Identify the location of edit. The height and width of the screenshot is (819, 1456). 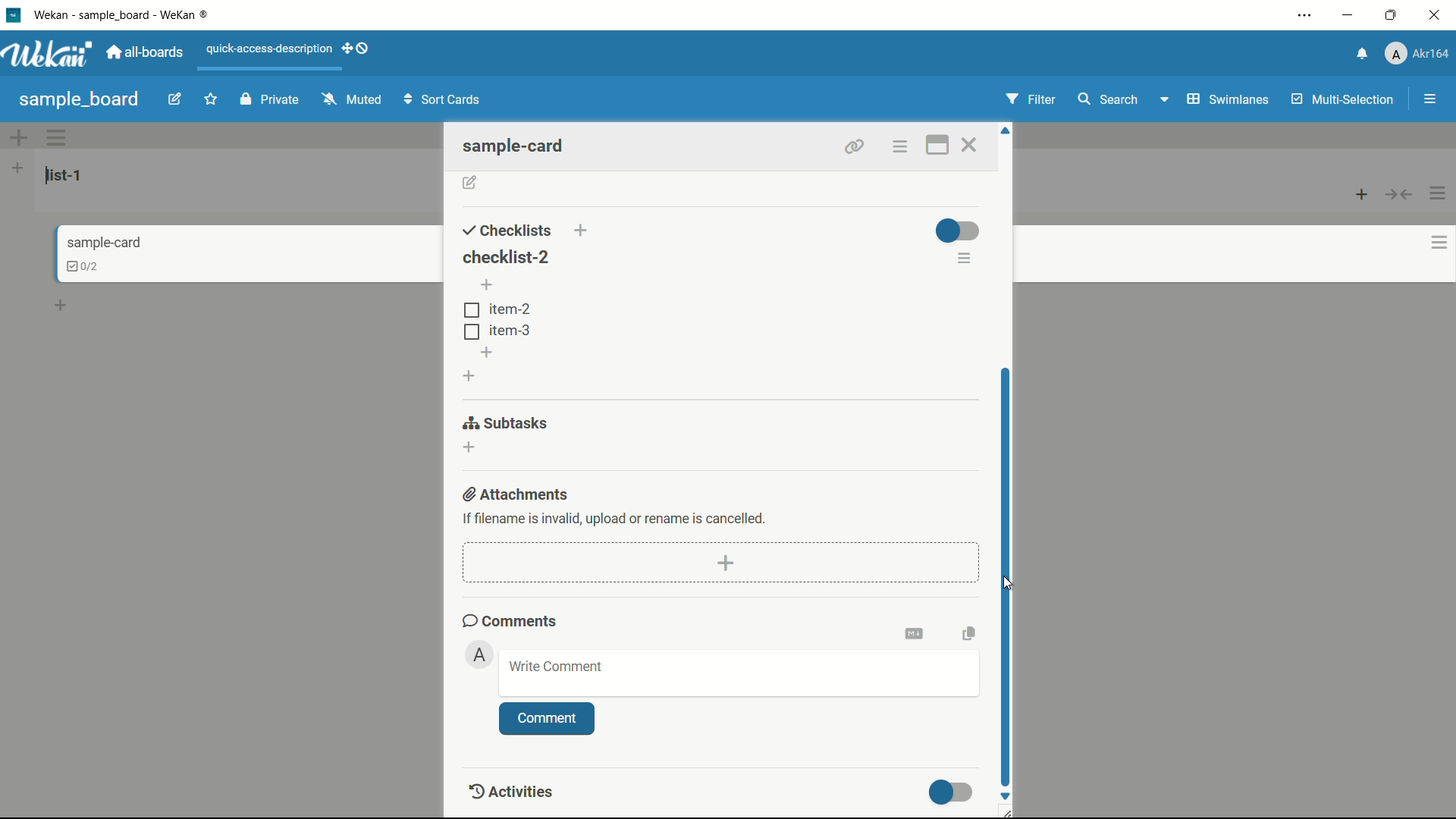
(177, 101).